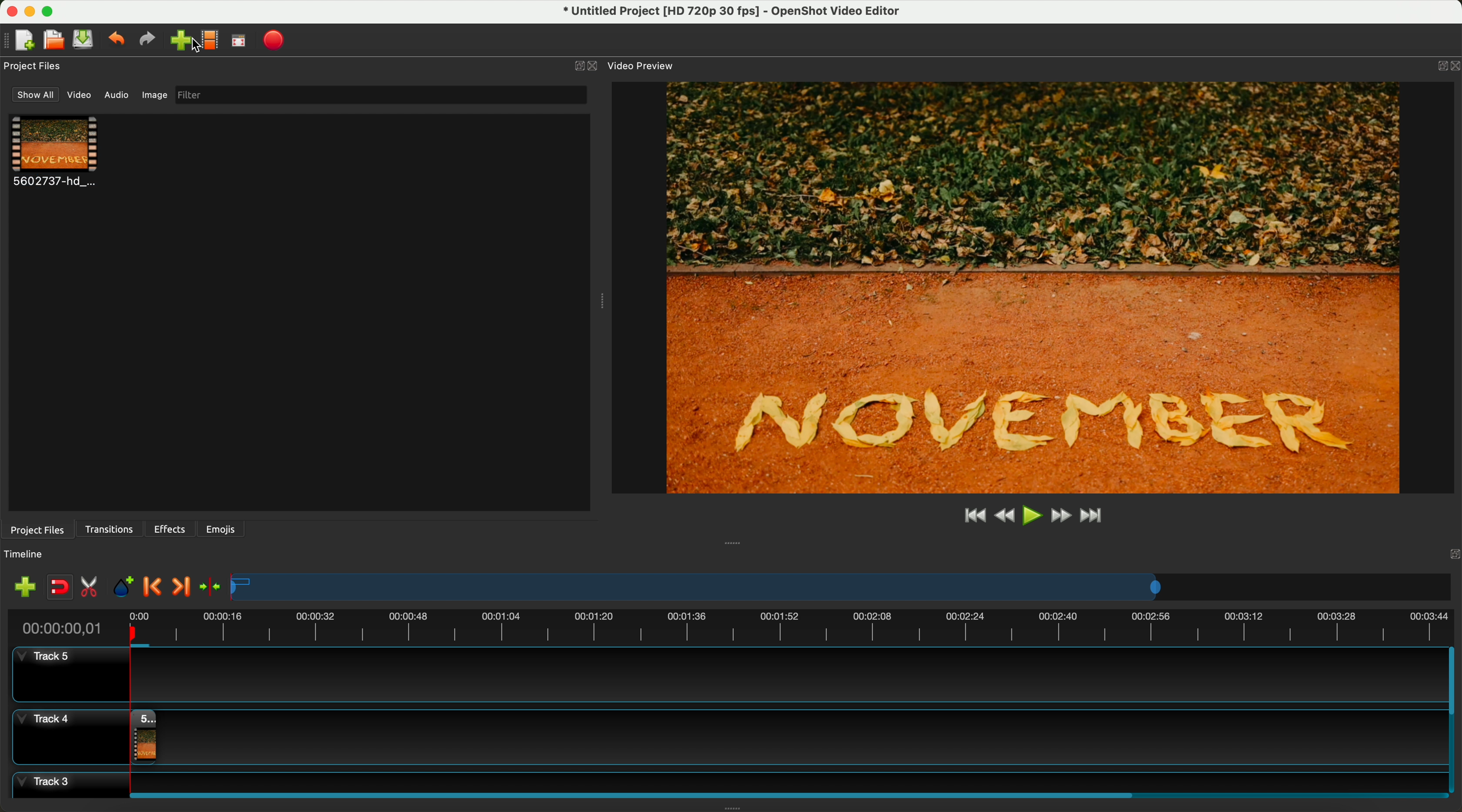 The width and height of the screenshot is (1462, 812). I want to click on scroll bar, so click(1453, 720).